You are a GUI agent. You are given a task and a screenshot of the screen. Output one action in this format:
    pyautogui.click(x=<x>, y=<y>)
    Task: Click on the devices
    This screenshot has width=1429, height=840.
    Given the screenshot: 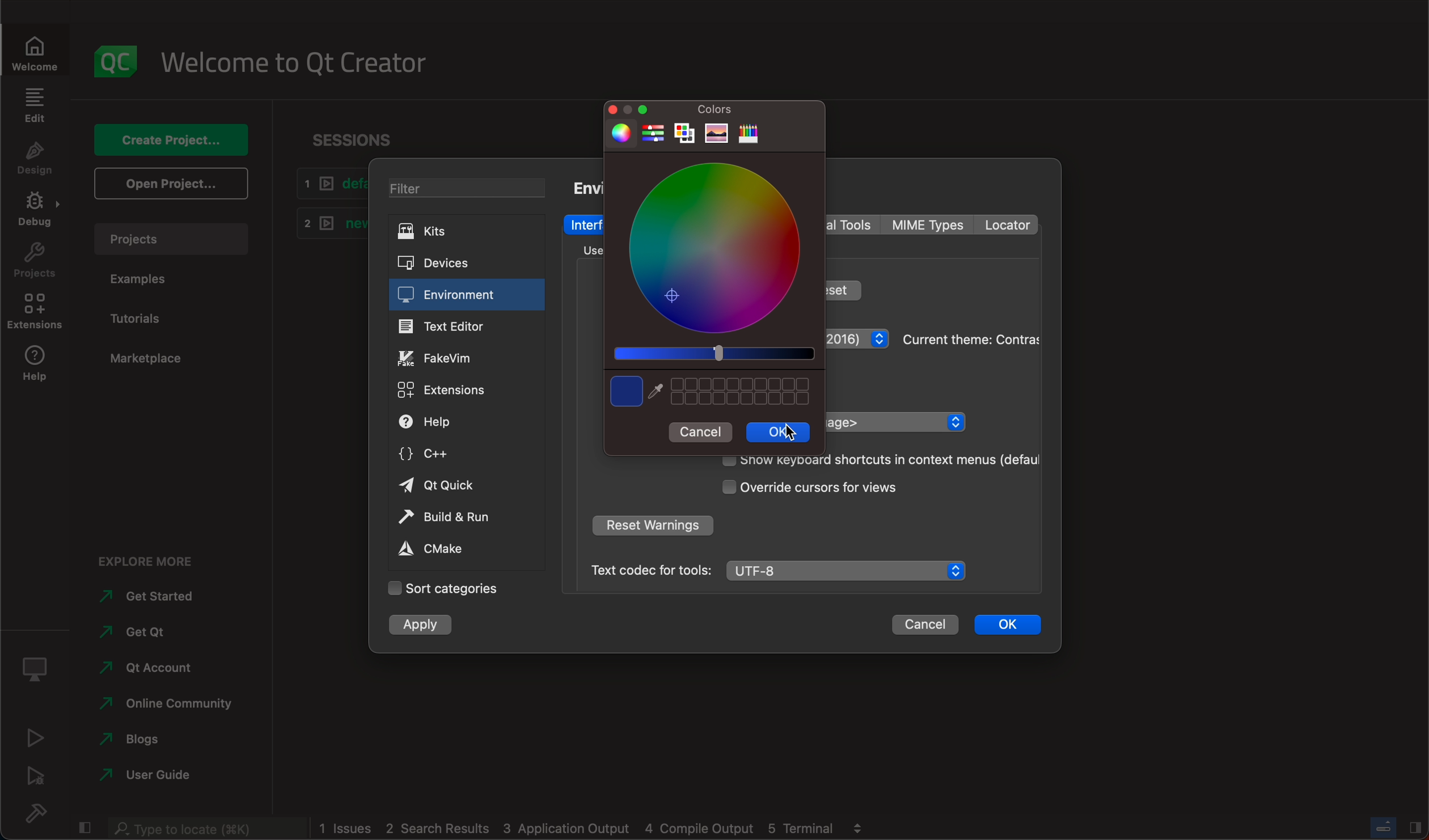 What is the action you would take?
    pyautogui.click(x=455, y=261)
    